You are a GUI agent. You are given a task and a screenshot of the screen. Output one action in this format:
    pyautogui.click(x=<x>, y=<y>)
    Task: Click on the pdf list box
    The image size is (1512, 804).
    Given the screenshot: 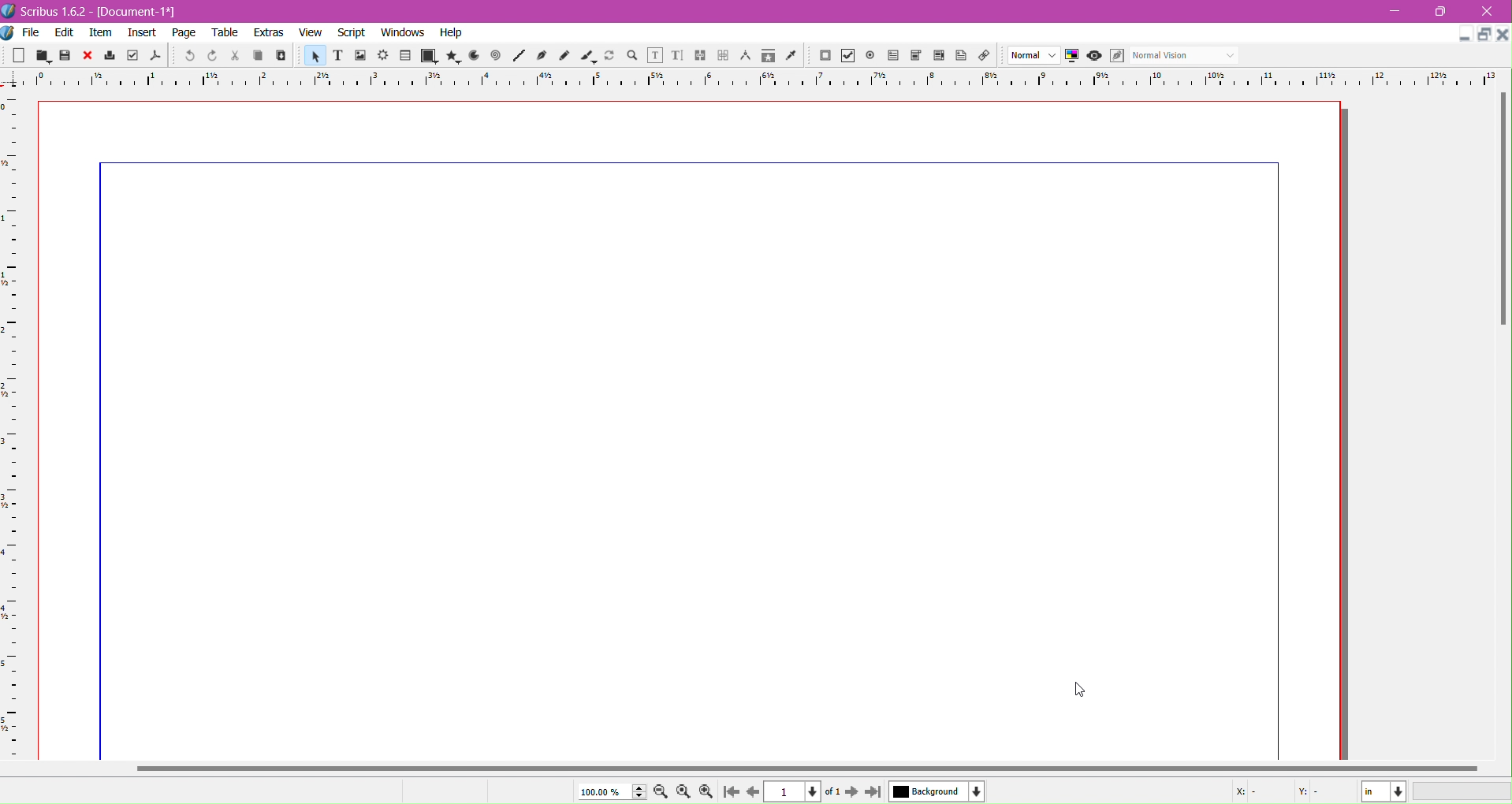 What is the action you would take?
    pyautogui.click(x=940, y=57)
    